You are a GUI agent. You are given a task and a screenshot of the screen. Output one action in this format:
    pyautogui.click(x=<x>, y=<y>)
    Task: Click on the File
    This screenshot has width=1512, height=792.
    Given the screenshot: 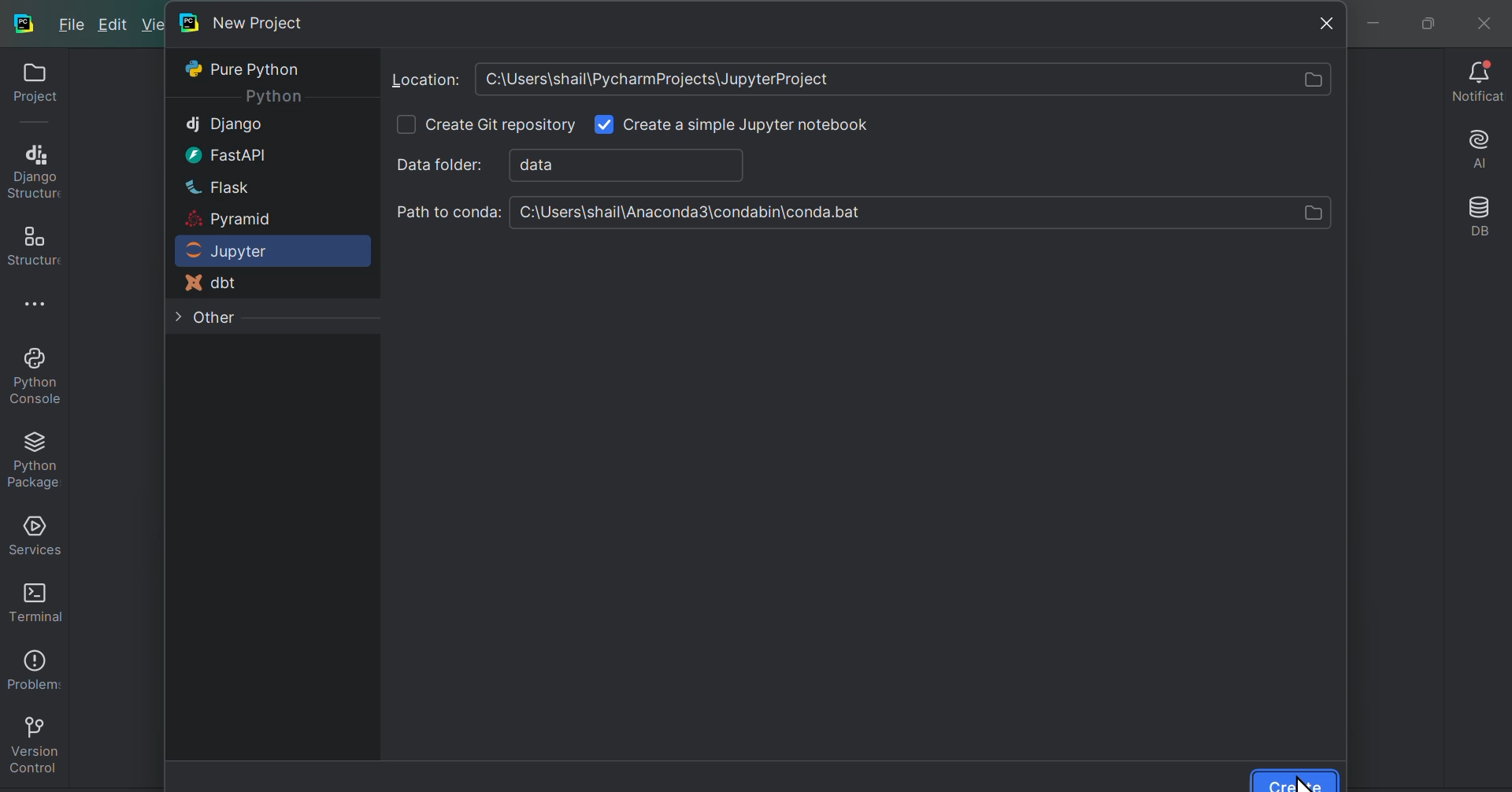 What is the action you would take?
    pyautogui.click(x=73, y=28)
    